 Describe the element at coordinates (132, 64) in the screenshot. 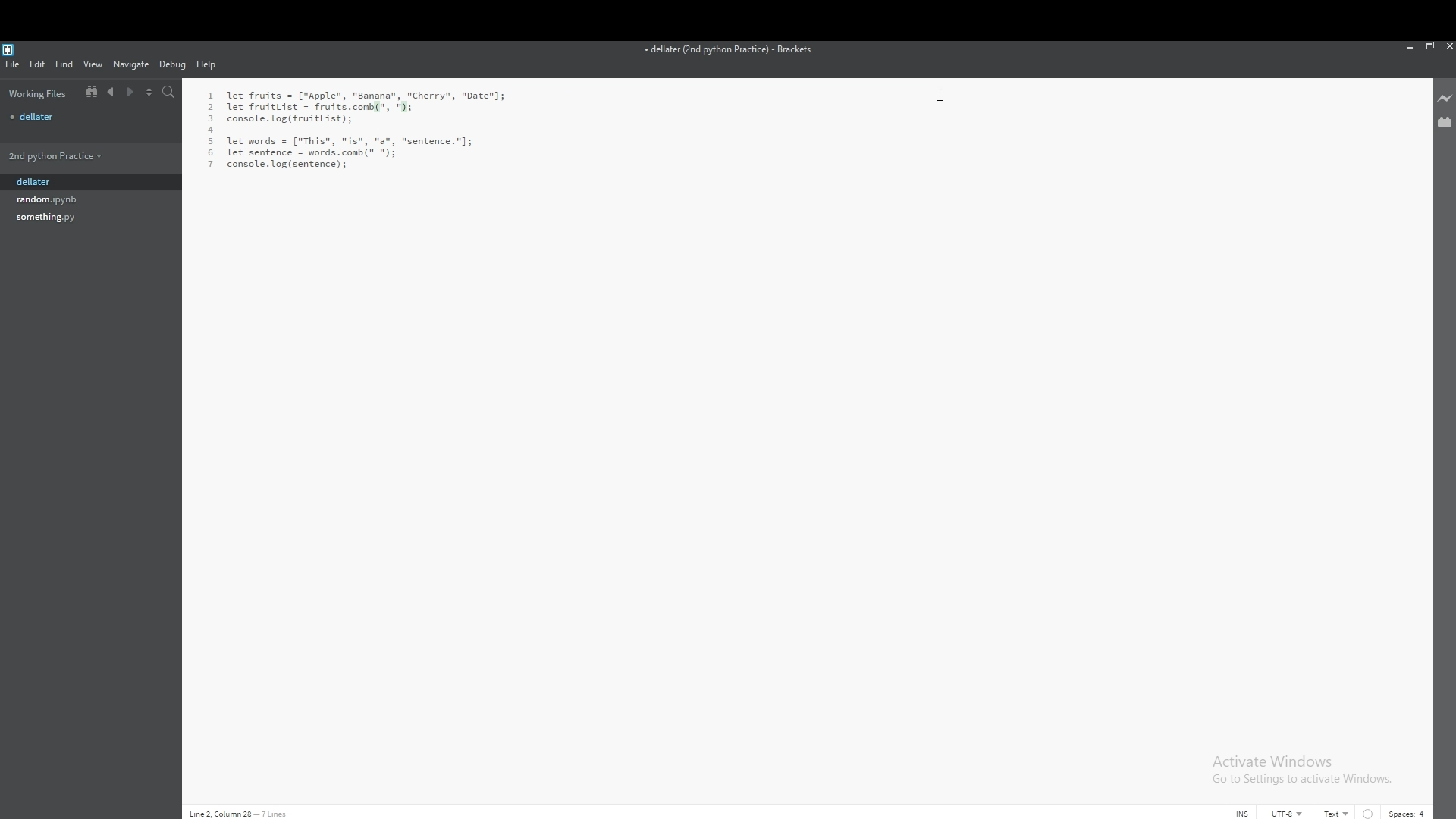

I see `navigate` at that location.